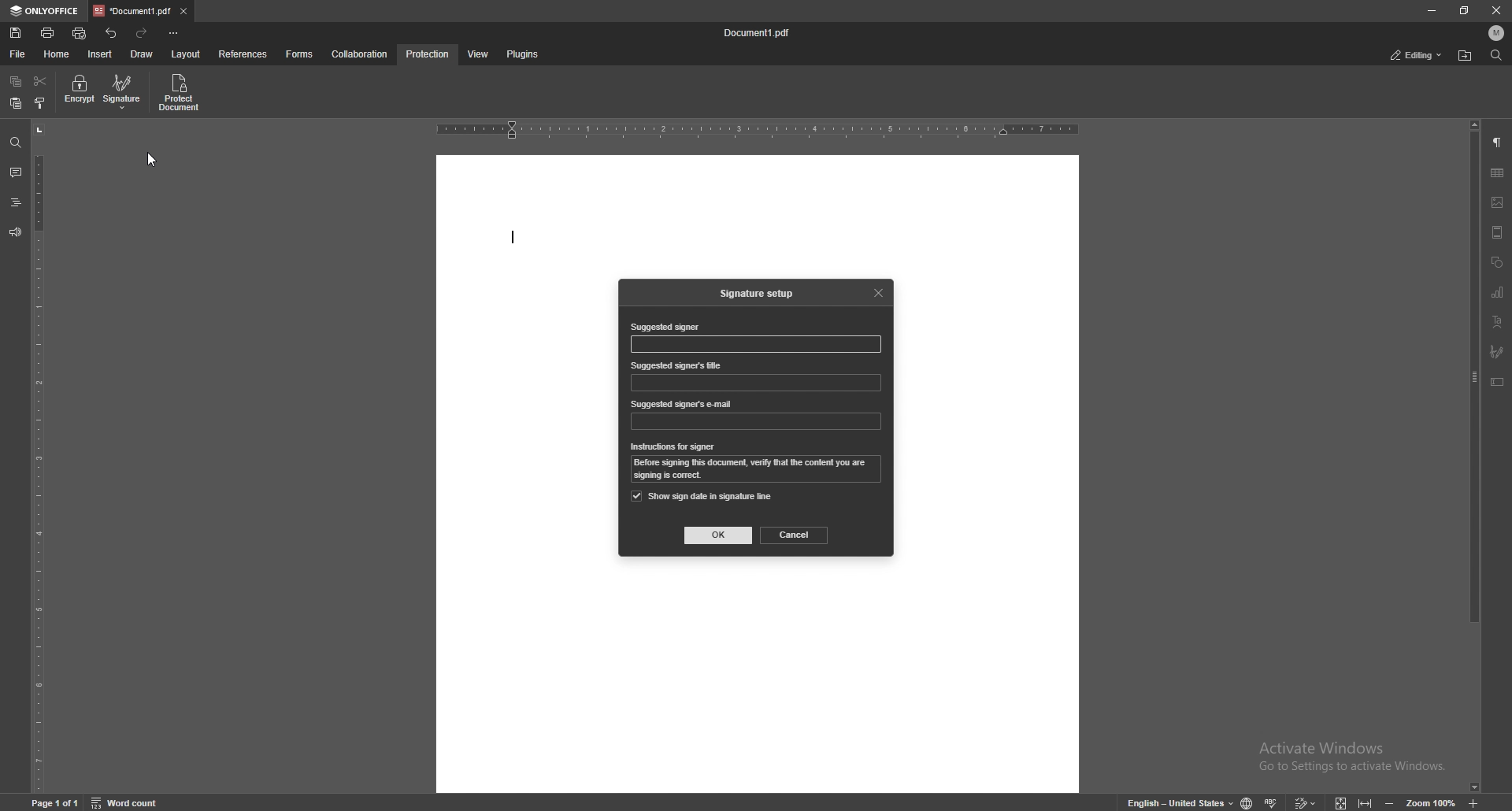 The height and width of the screenshot is (811, 1512). What do you see at coordinates (1417, 56) in the screenshot?
I see `status` at bounding box center [1417, 56].